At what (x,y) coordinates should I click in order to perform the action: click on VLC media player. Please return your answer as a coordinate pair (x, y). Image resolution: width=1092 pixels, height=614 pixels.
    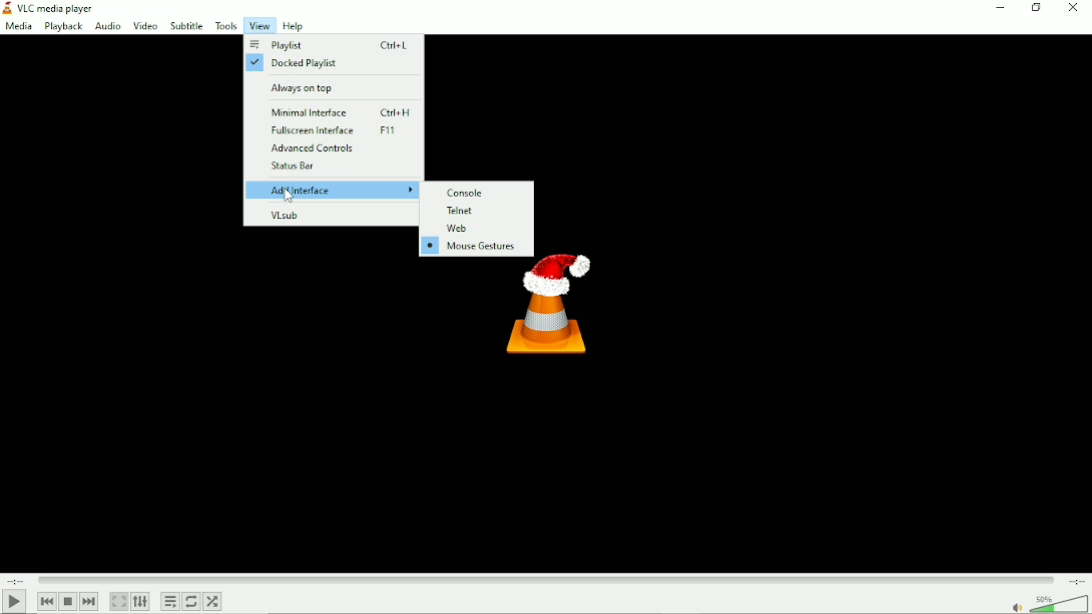
    Looking at the image, I should click on (56, 9).